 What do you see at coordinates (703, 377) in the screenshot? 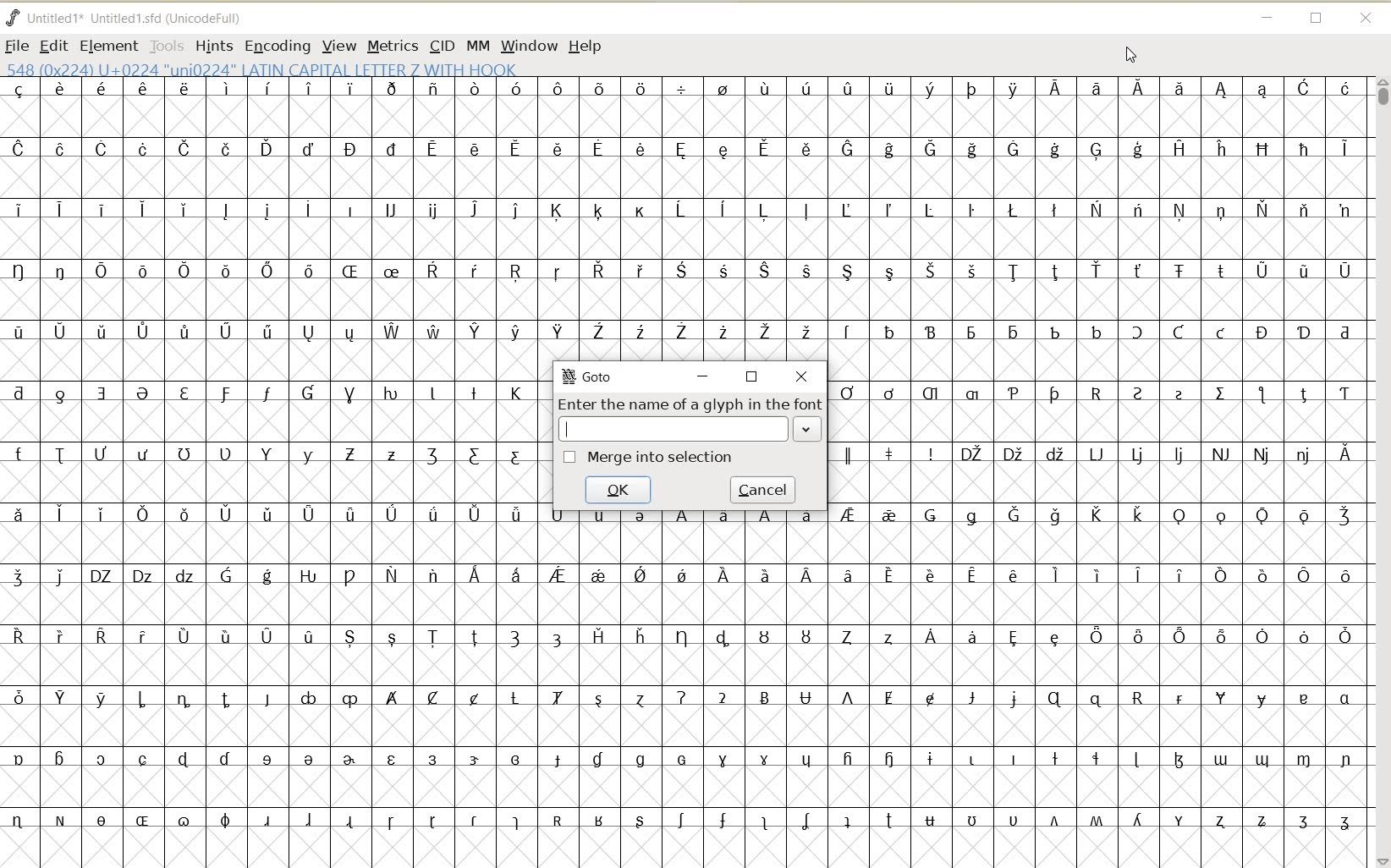
I see `minimize` at bounding box center [703, 377].